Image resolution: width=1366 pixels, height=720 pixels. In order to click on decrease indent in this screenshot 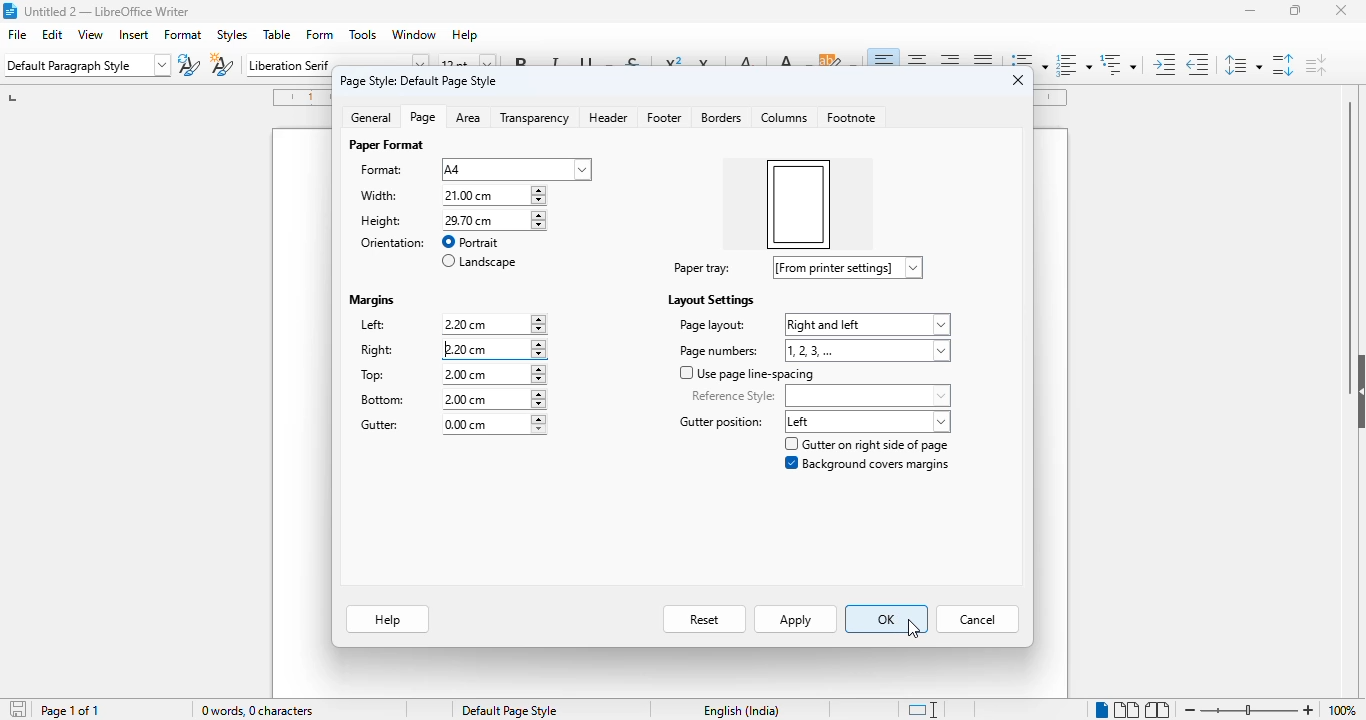, I will do `click(1197, 65)`.